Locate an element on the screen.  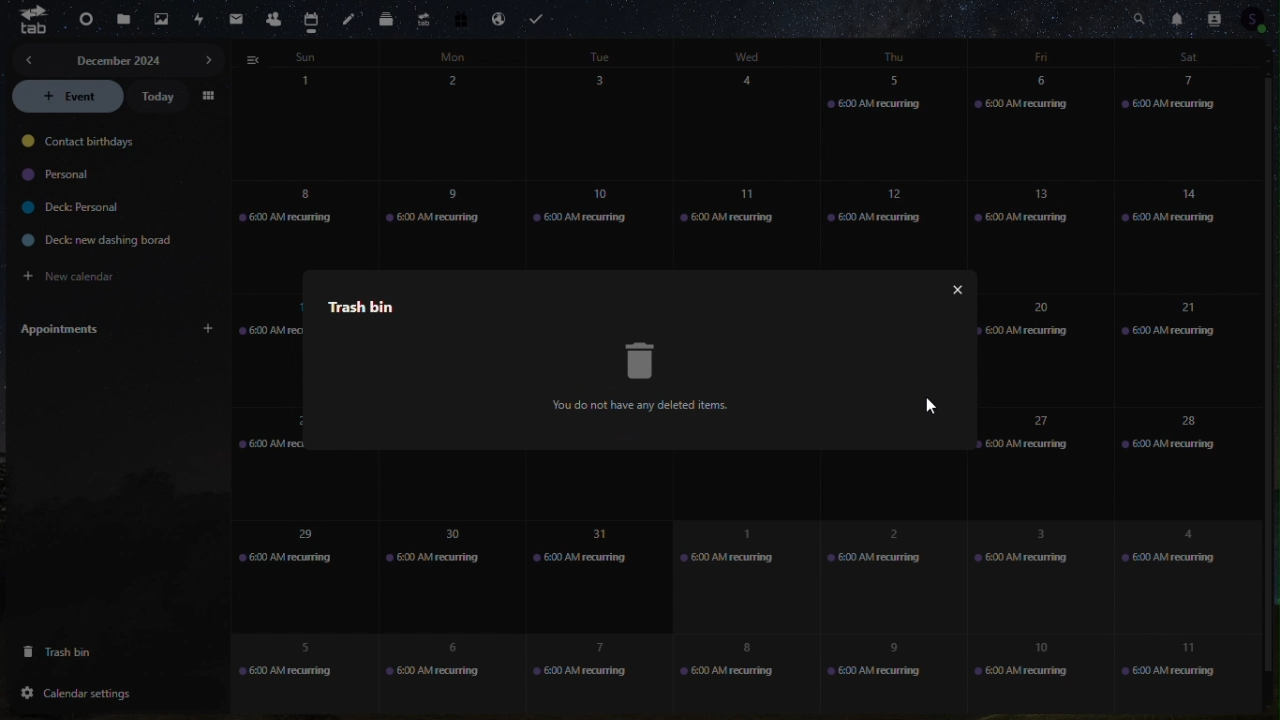
21 is located at coordinates (1174, 346).